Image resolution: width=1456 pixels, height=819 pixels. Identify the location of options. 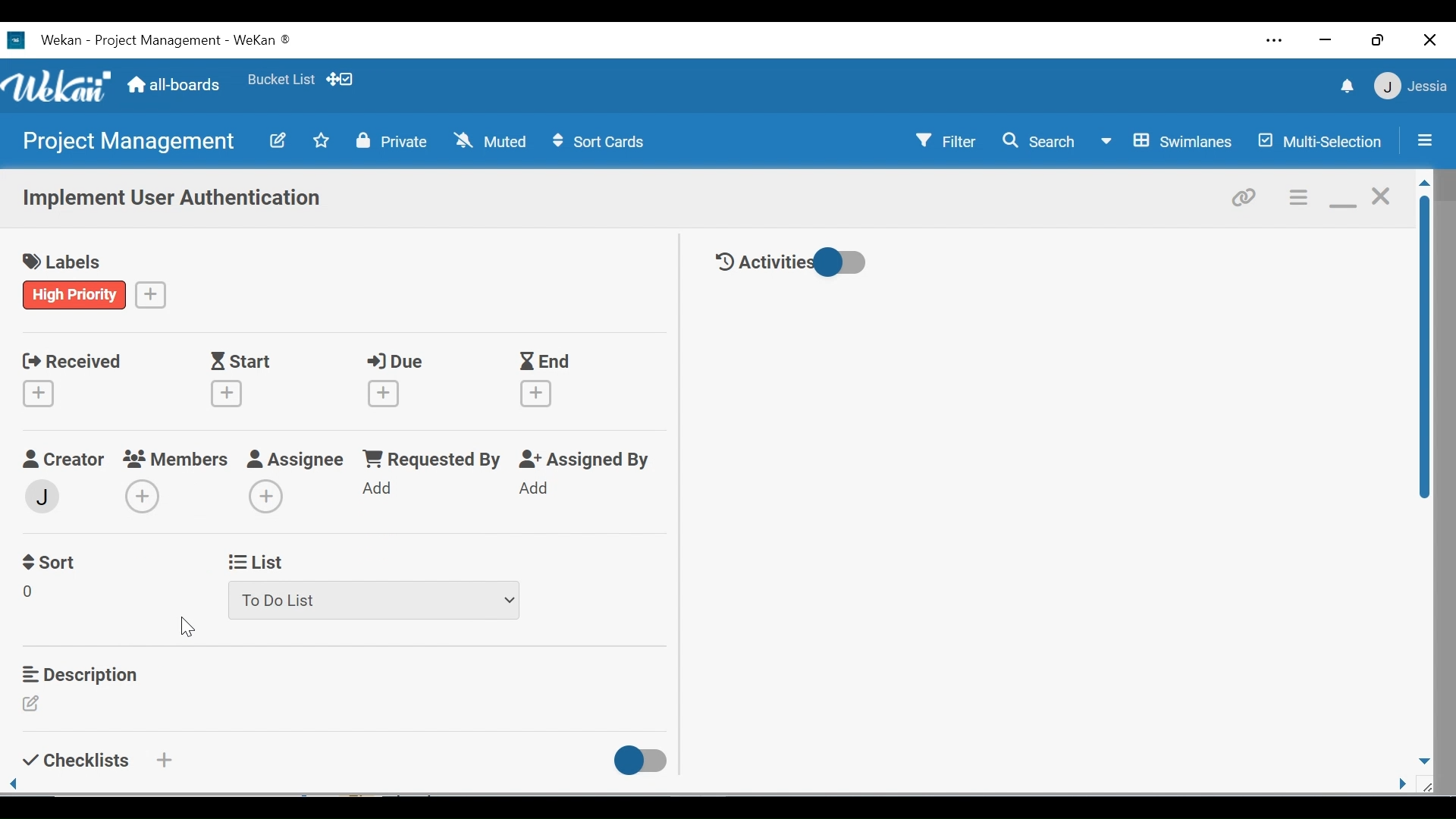
(1297, 196).